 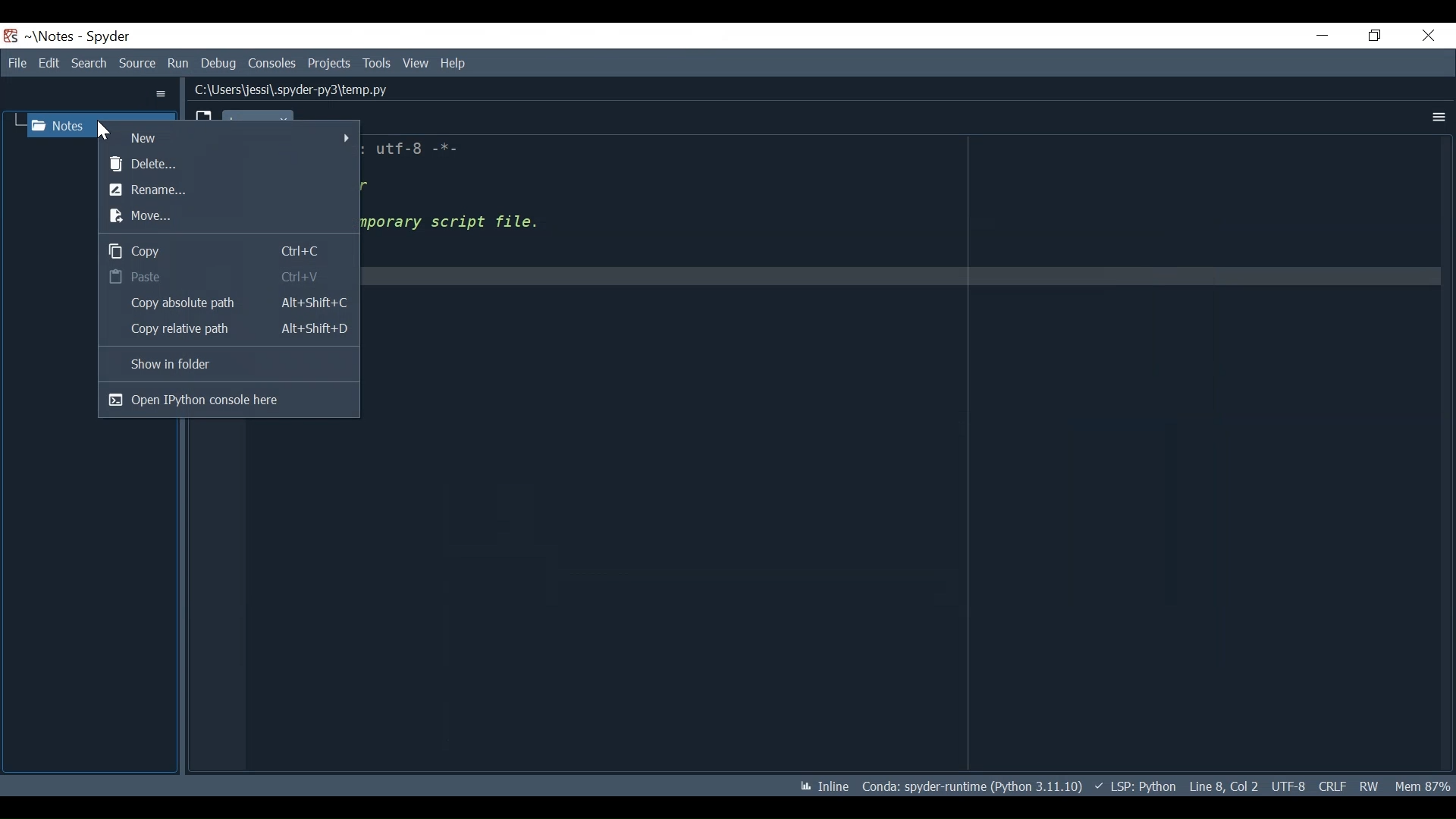 I want to click on Conda Environment Indicator, so click(x=966, y=788).